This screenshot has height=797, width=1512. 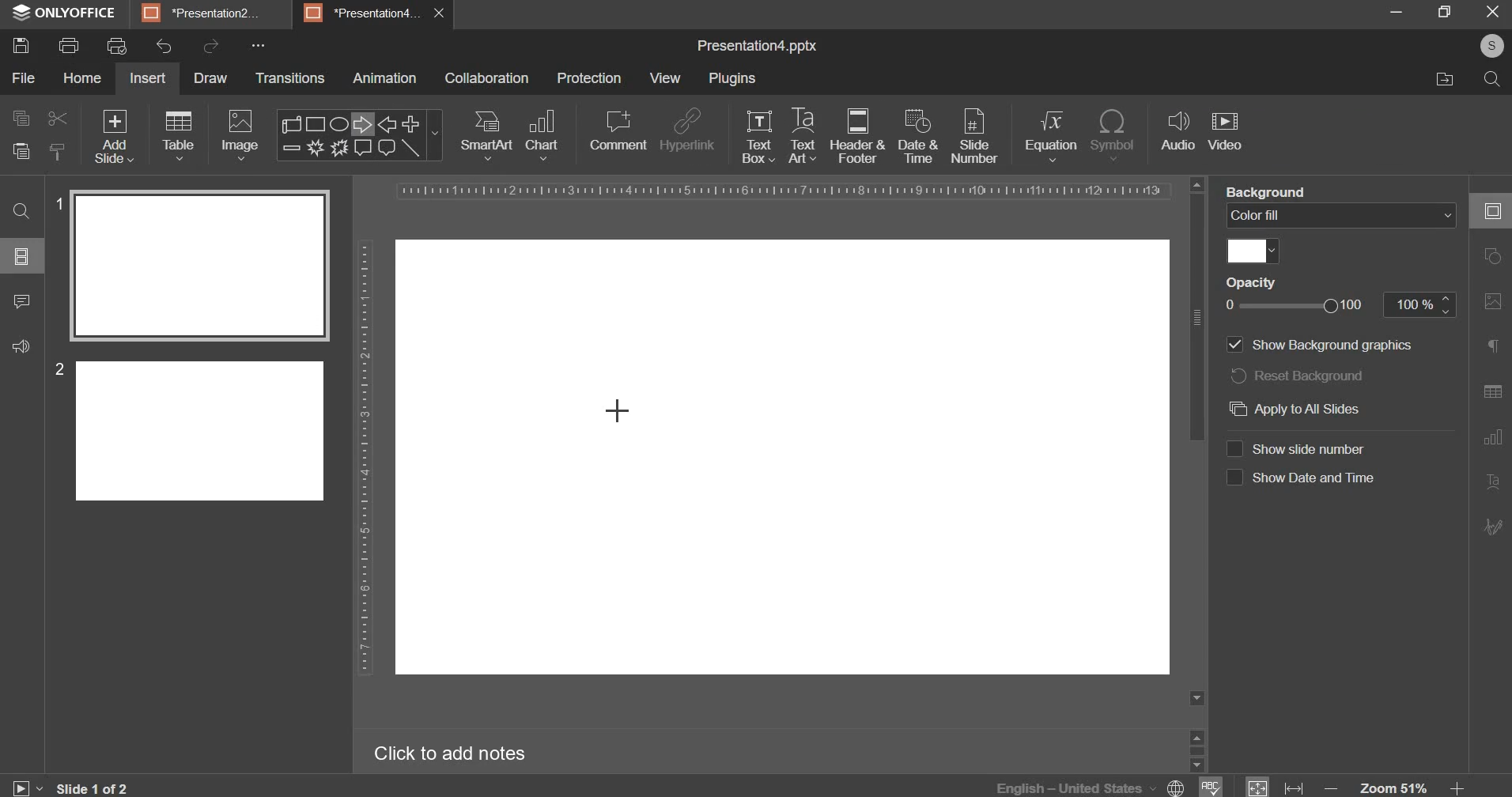 I want to click on right side bar, so click(x=1489, y=365).